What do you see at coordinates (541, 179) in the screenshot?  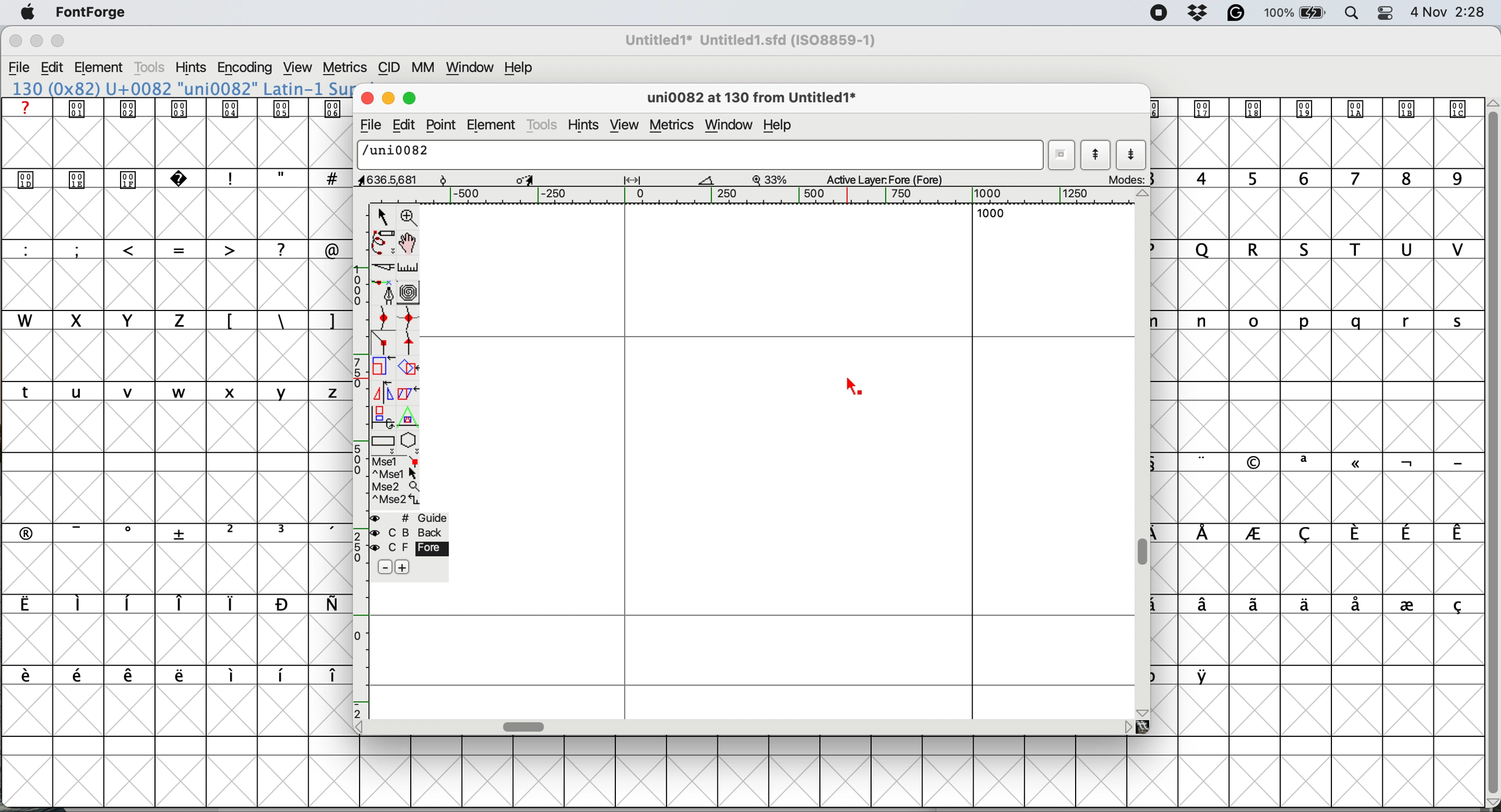 I see `dimensions` at bounding box center [541, 179].